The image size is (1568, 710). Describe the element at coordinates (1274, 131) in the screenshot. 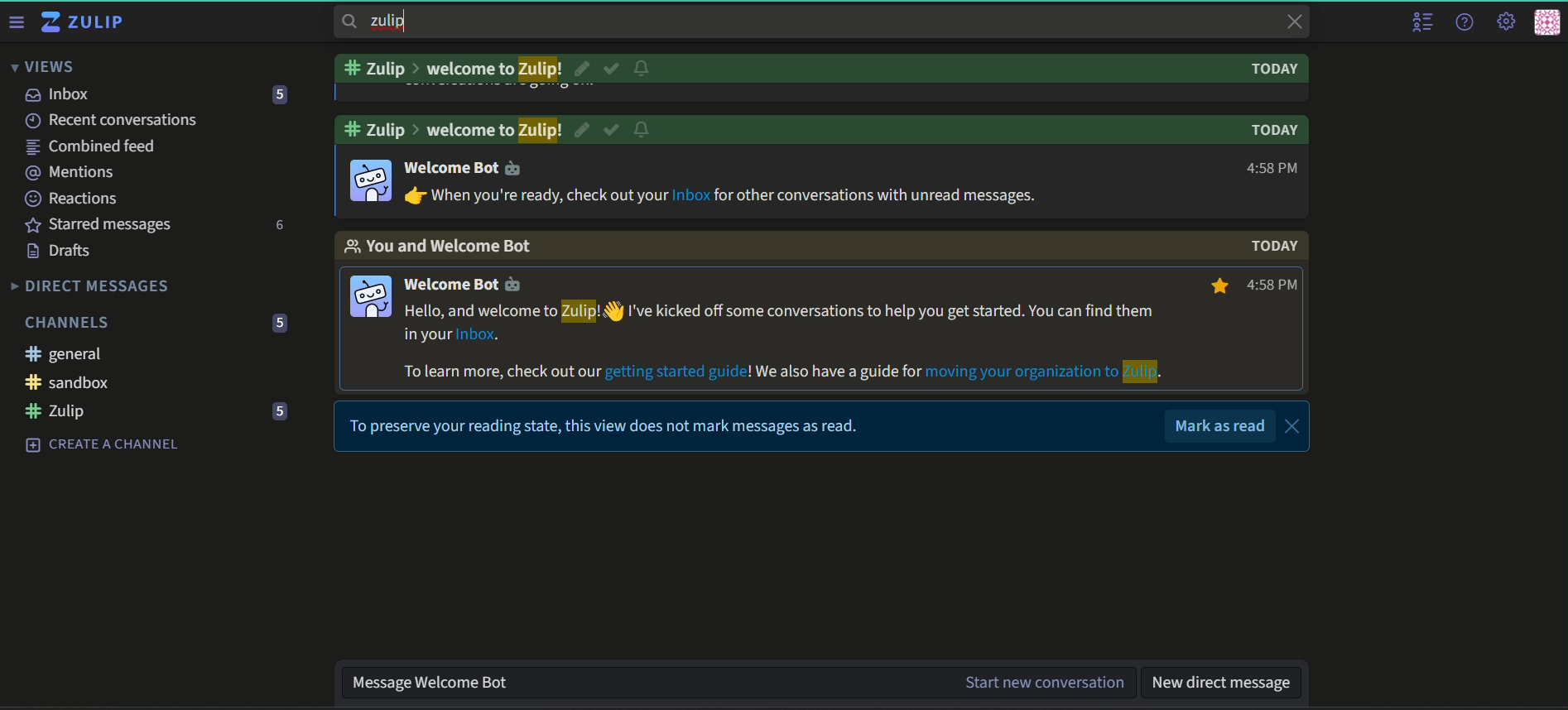

I see `Text` at that location.